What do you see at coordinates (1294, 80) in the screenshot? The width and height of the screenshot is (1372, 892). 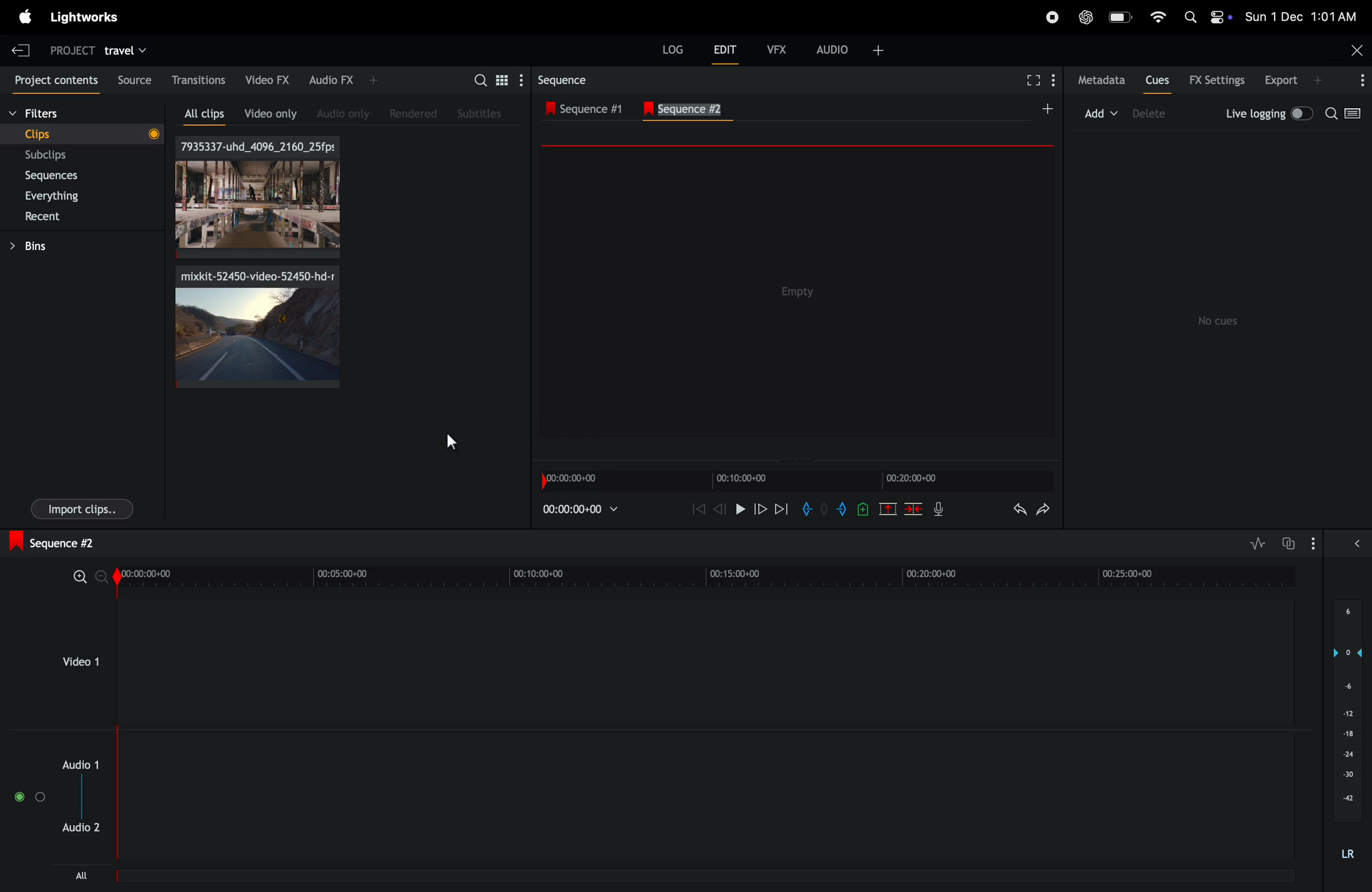 I see `export` at bounding box center [1294, 80].